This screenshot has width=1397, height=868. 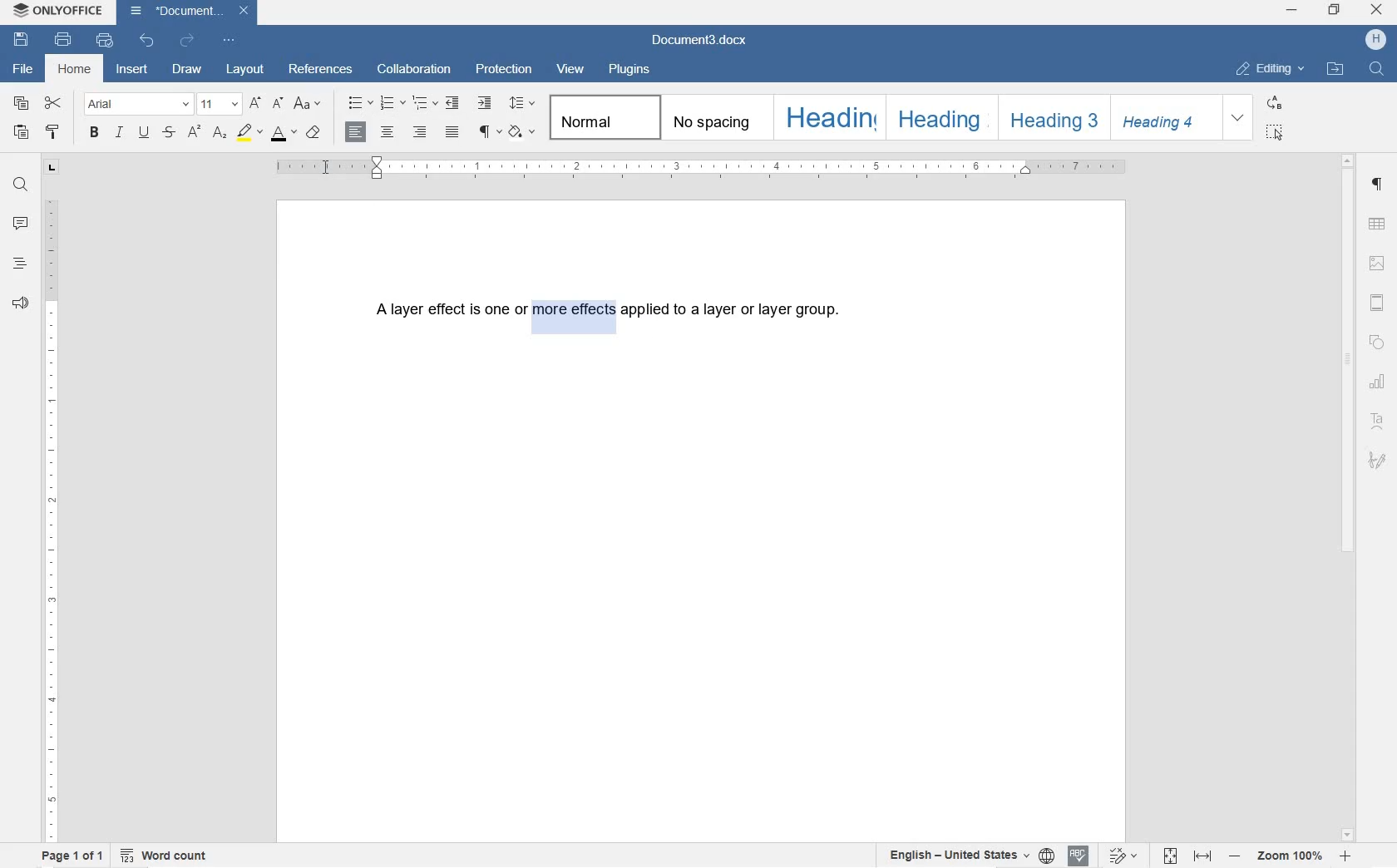 I want to click on PASTE, so click(x=20, y=131).